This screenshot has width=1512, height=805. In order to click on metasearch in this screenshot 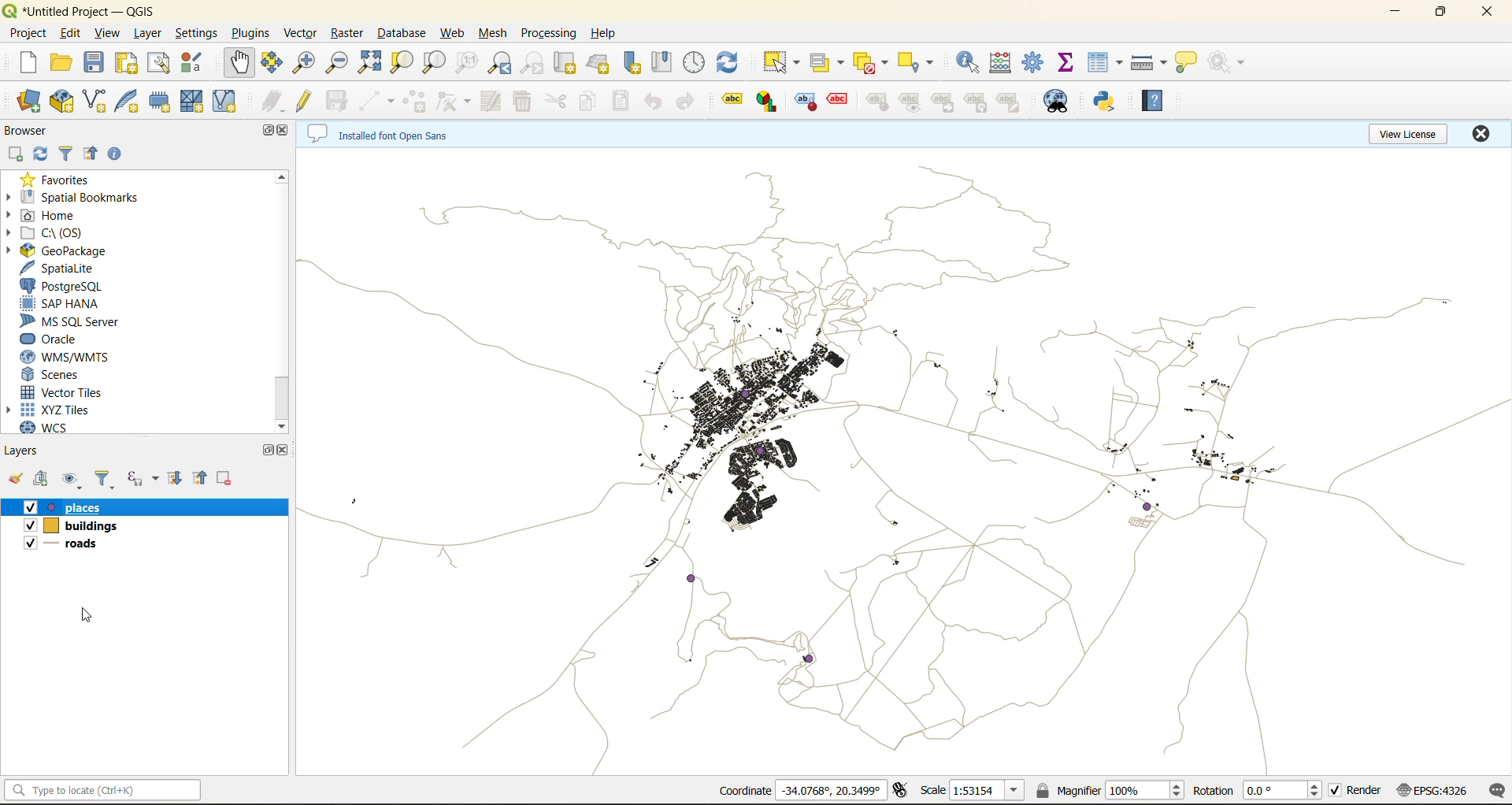, I will do `click(1059, 102)`.